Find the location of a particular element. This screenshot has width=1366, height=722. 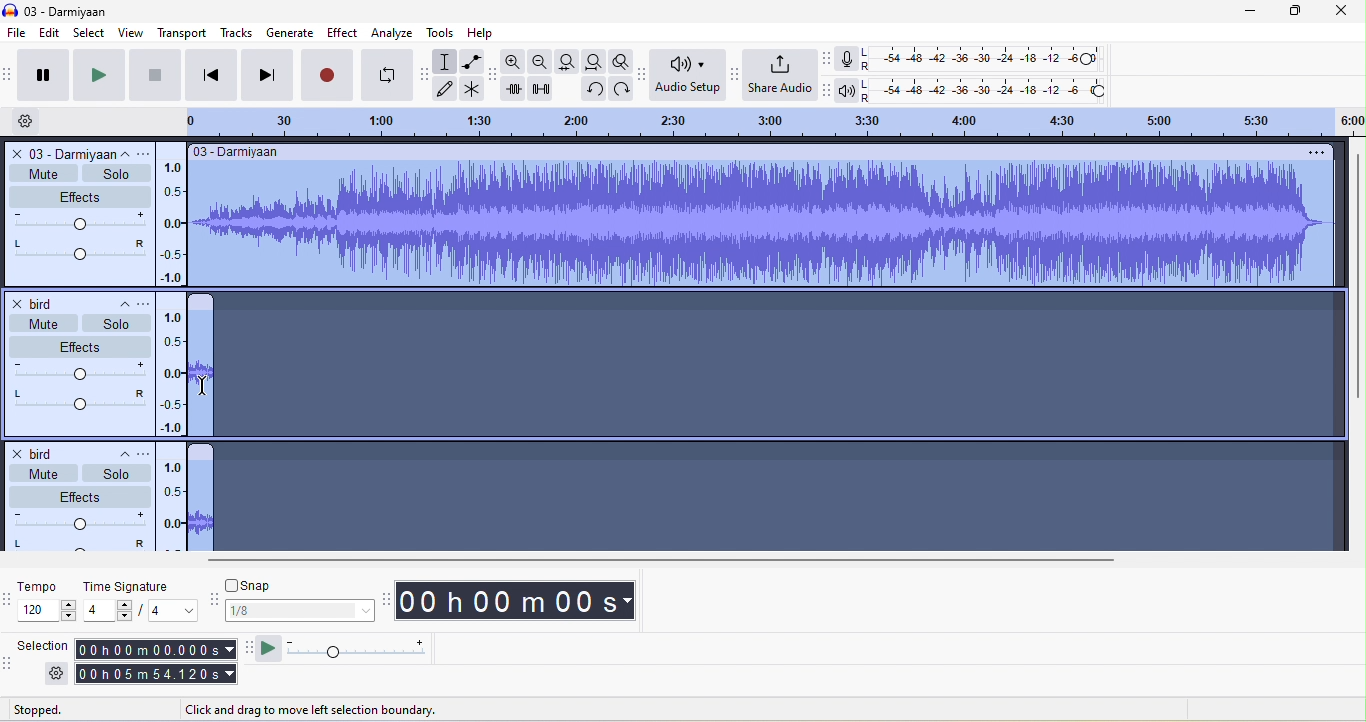

linear is located at coordinates (172, 216).